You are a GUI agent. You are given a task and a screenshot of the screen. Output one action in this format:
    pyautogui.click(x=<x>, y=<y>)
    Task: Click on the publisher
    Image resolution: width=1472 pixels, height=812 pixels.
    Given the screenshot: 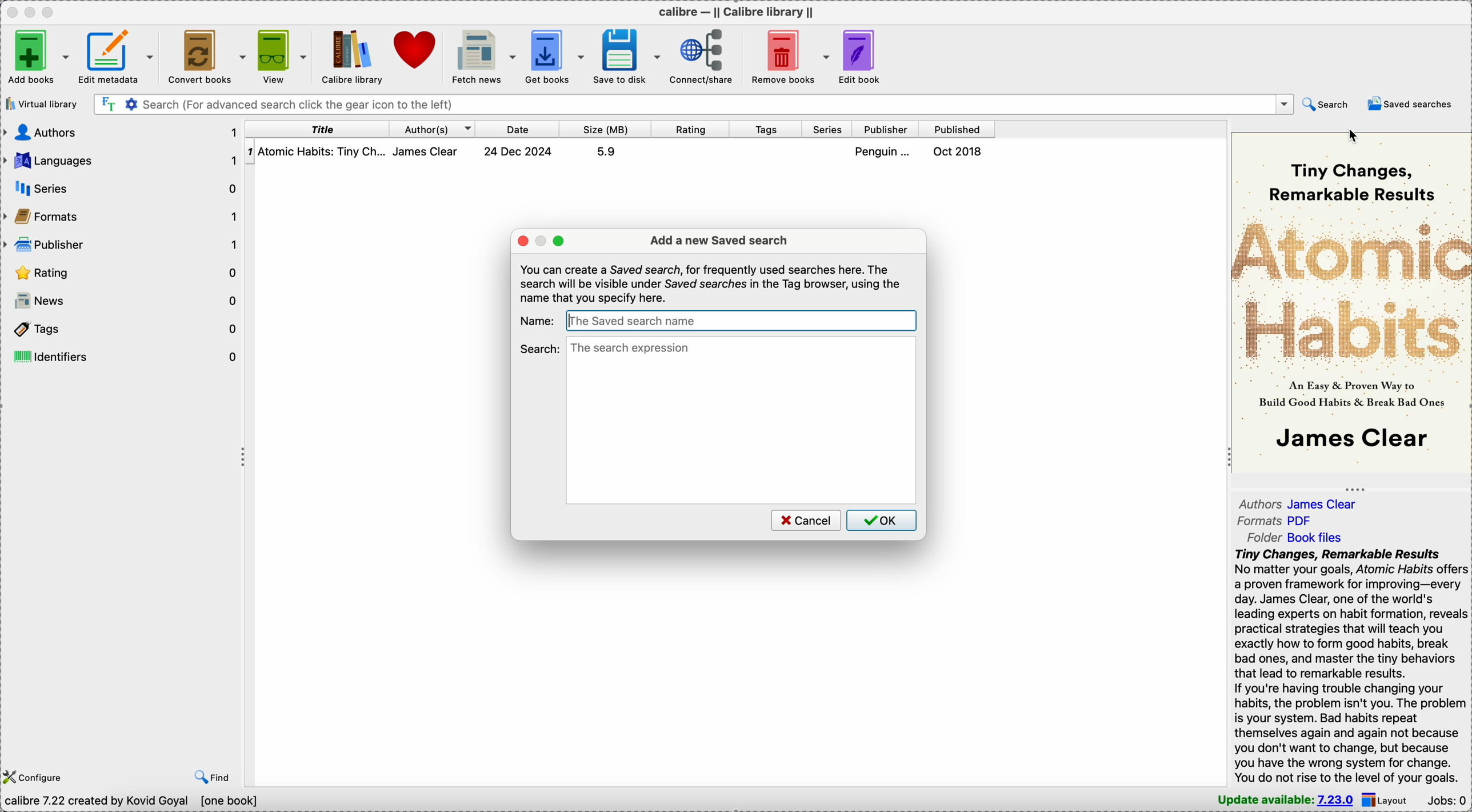 What is the action you would take?
    pyautogui.click(x=887, y=130)
    